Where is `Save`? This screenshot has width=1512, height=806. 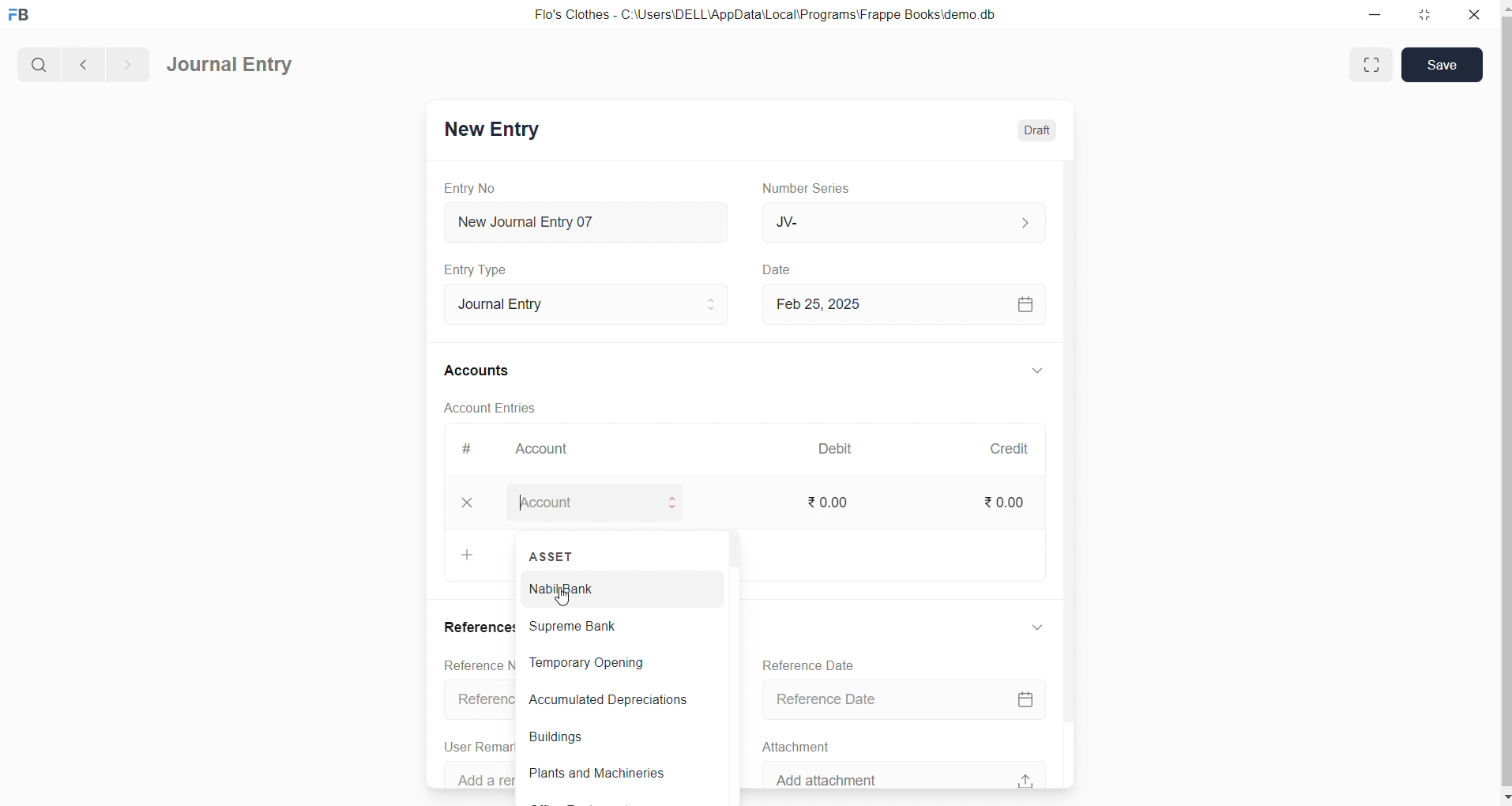
Save is located at coordinates (1442, 65).